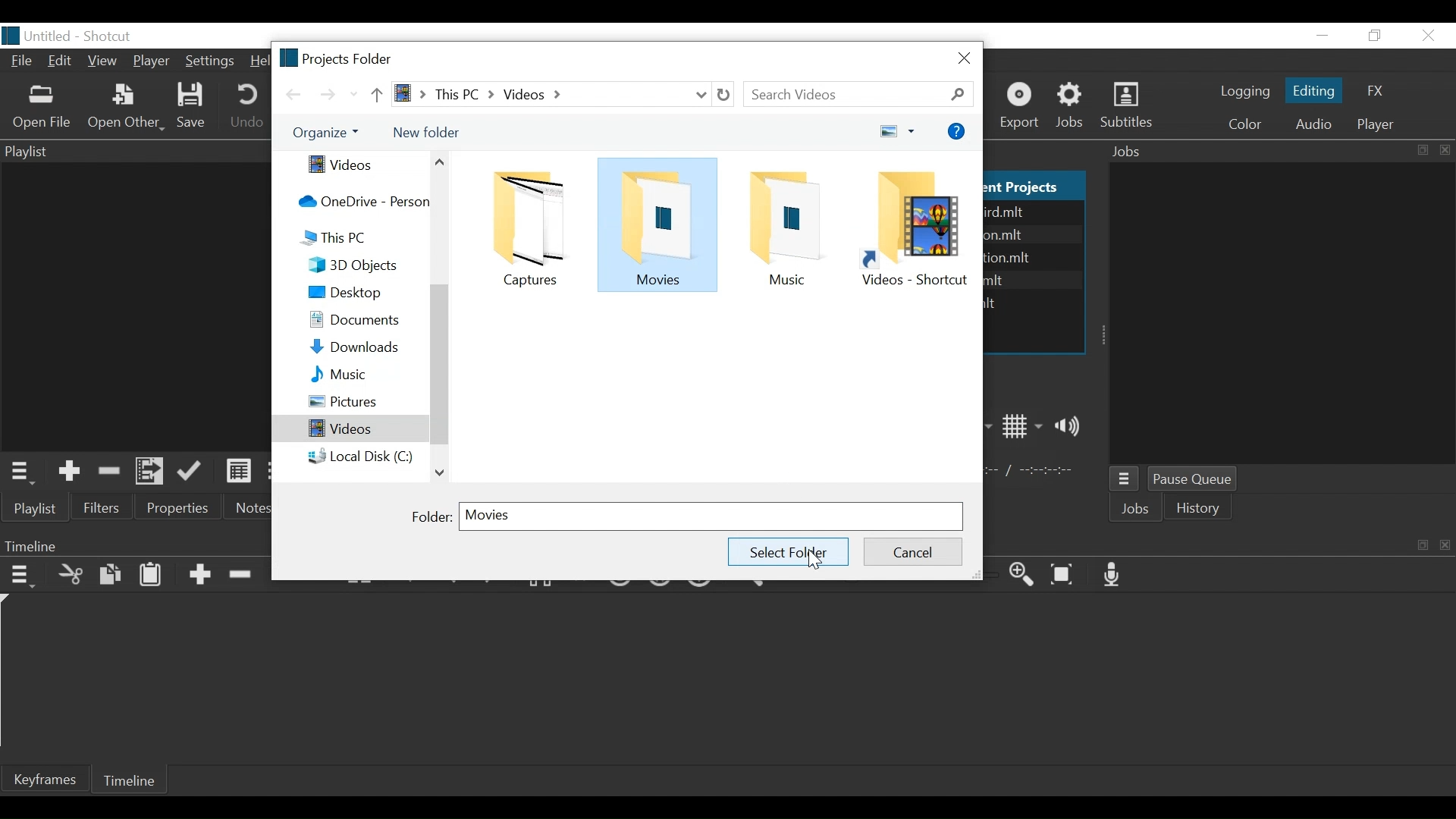 Image resolution: width=1456 pixels, height=819 pixels. What do you see at coordinates (357, 165) in the screenshot?
I see `Videos` at bounding box center [357, 165].